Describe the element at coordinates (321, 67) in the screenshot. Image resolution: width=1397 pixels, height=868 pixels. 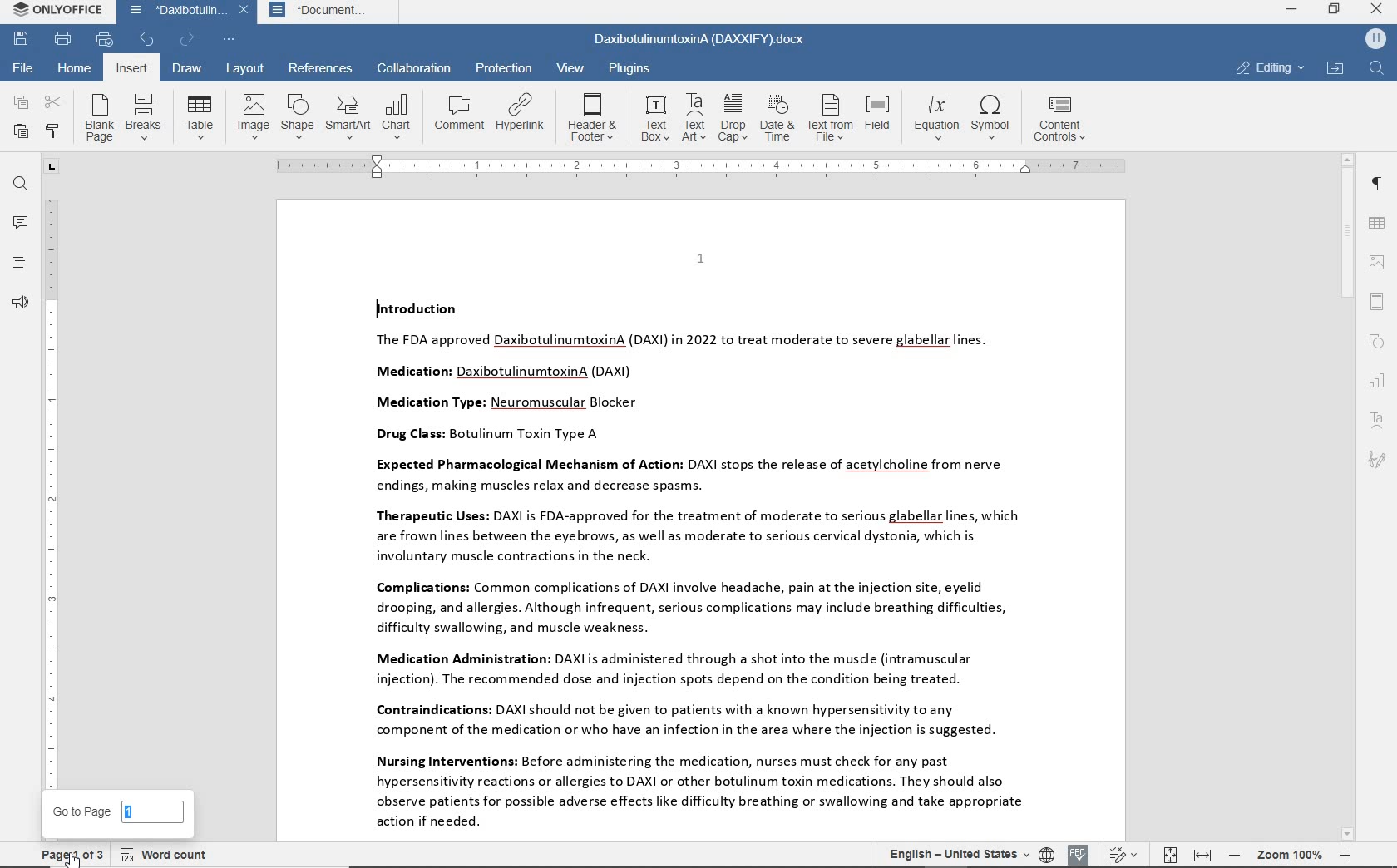
I see `references` at that location.